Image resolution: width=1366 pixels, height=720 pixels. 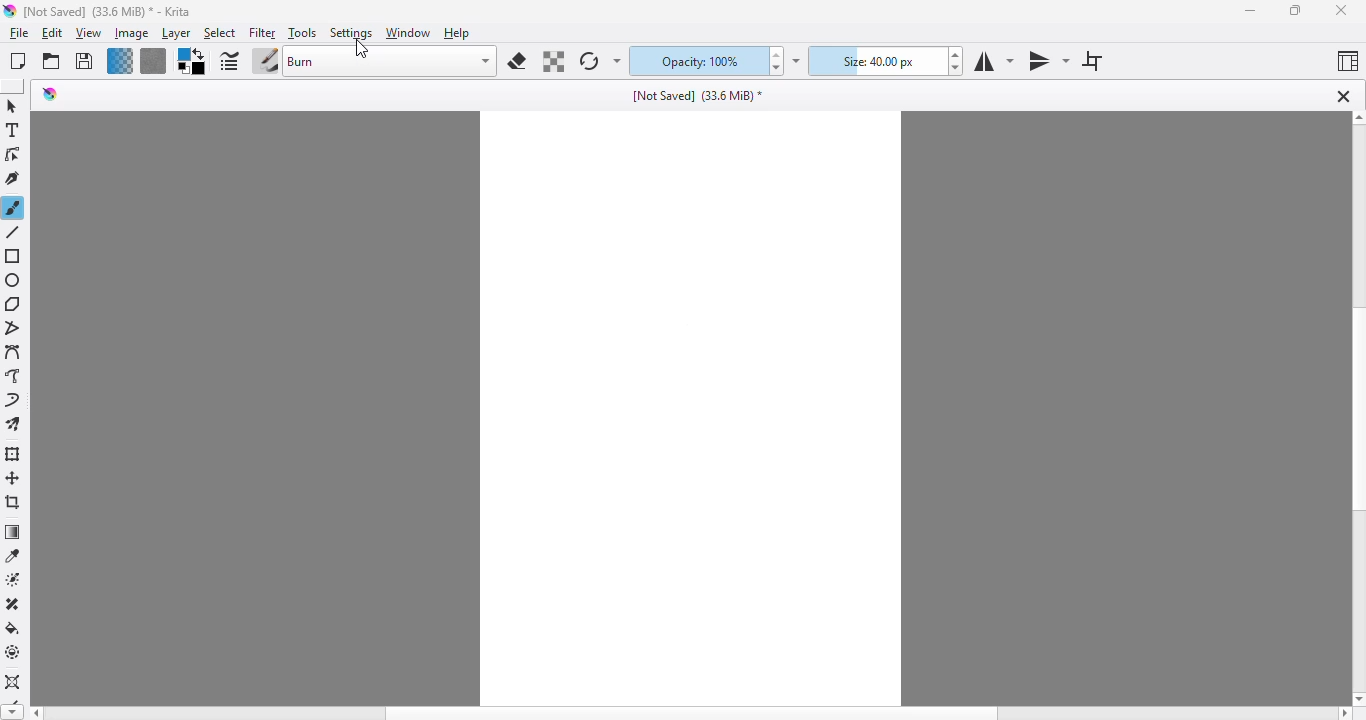 I want to click on freehand brush tool, so click(x=13, y=207).